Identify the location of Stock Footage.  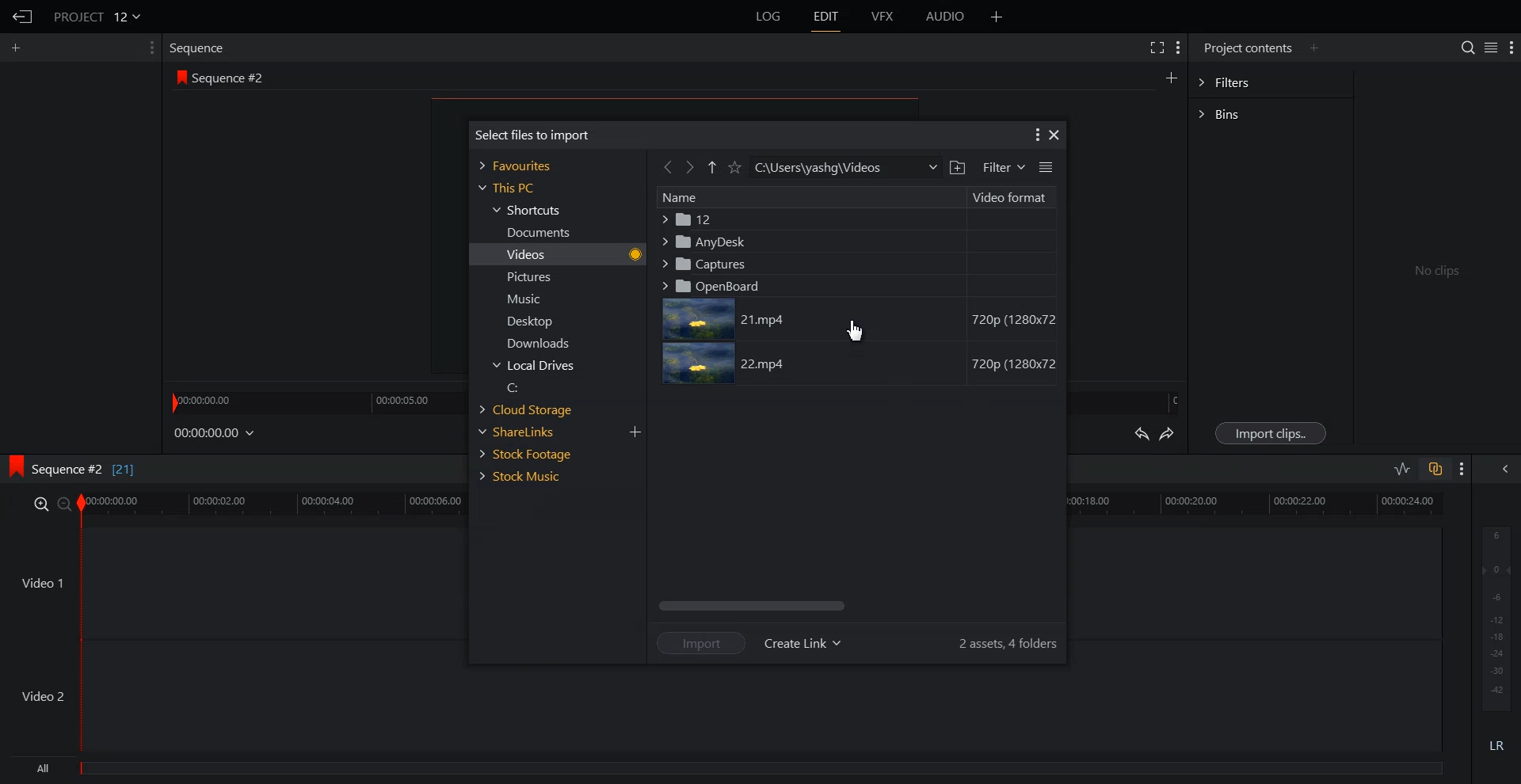
(532, 453).